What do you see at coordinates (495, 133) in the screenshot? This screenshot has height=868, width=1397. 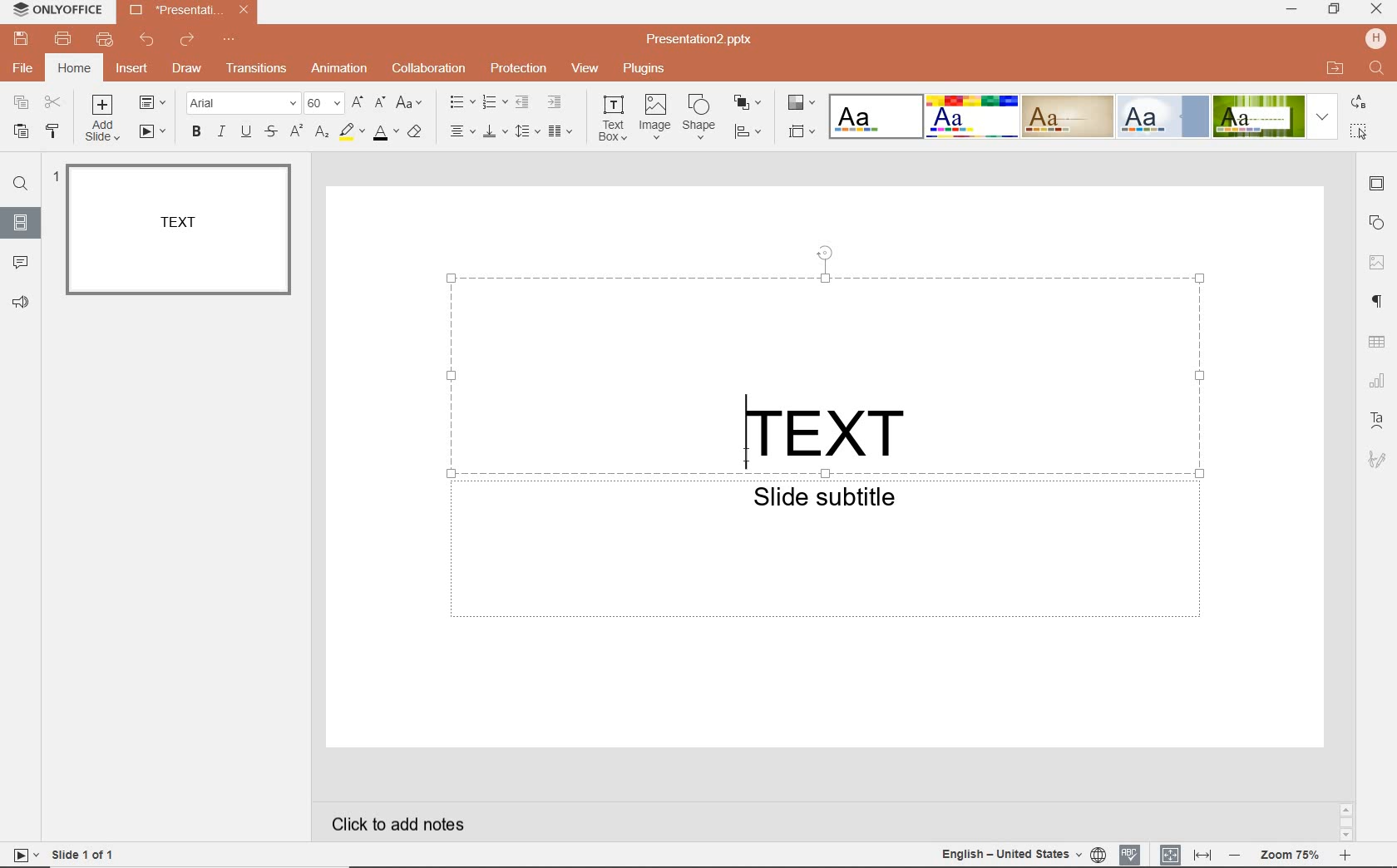 I see `VERTICAL ALIGN` at bounding box center [495, 133].